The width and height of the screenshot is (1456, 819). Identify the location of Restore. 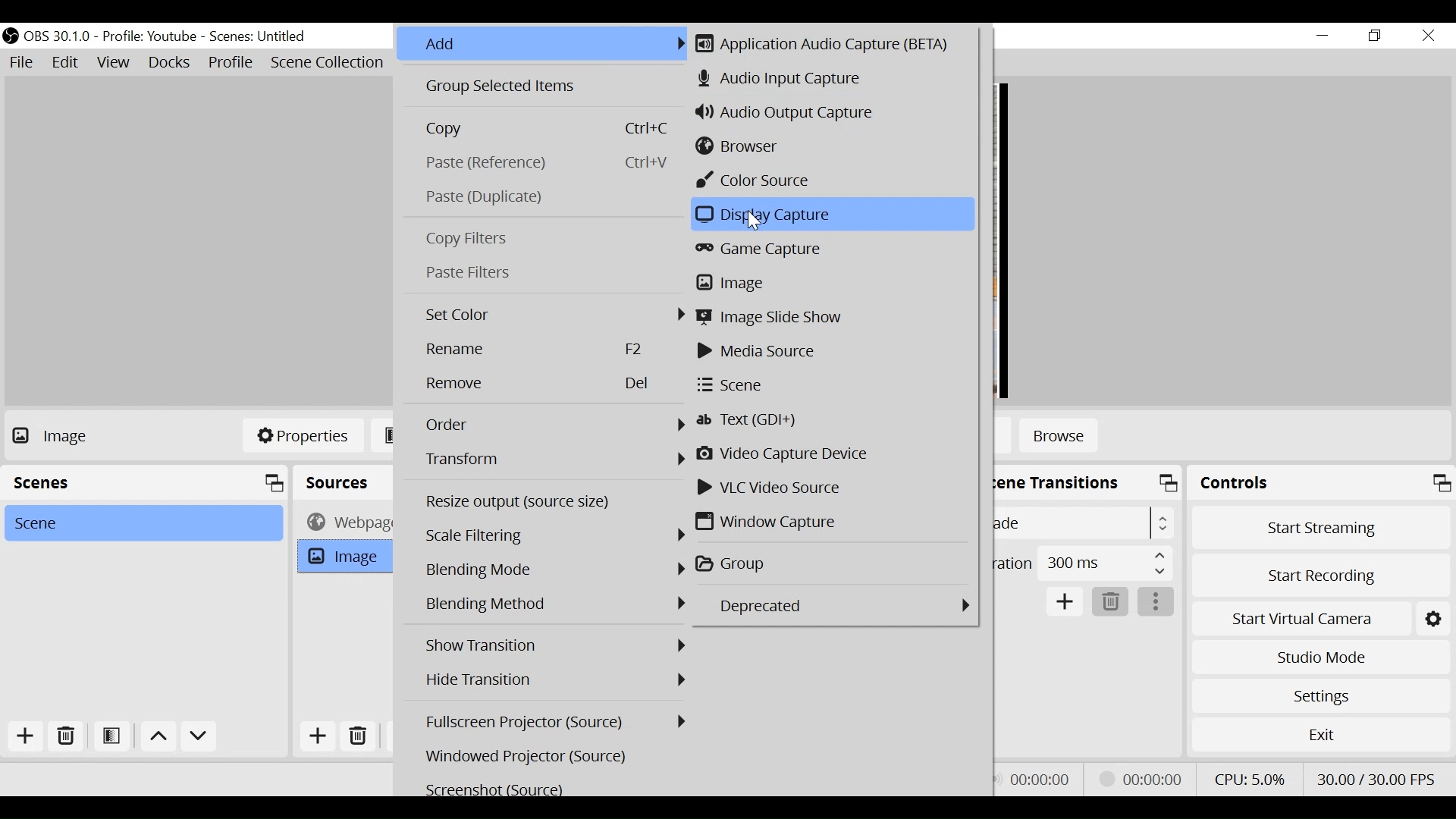
(1375, 36).